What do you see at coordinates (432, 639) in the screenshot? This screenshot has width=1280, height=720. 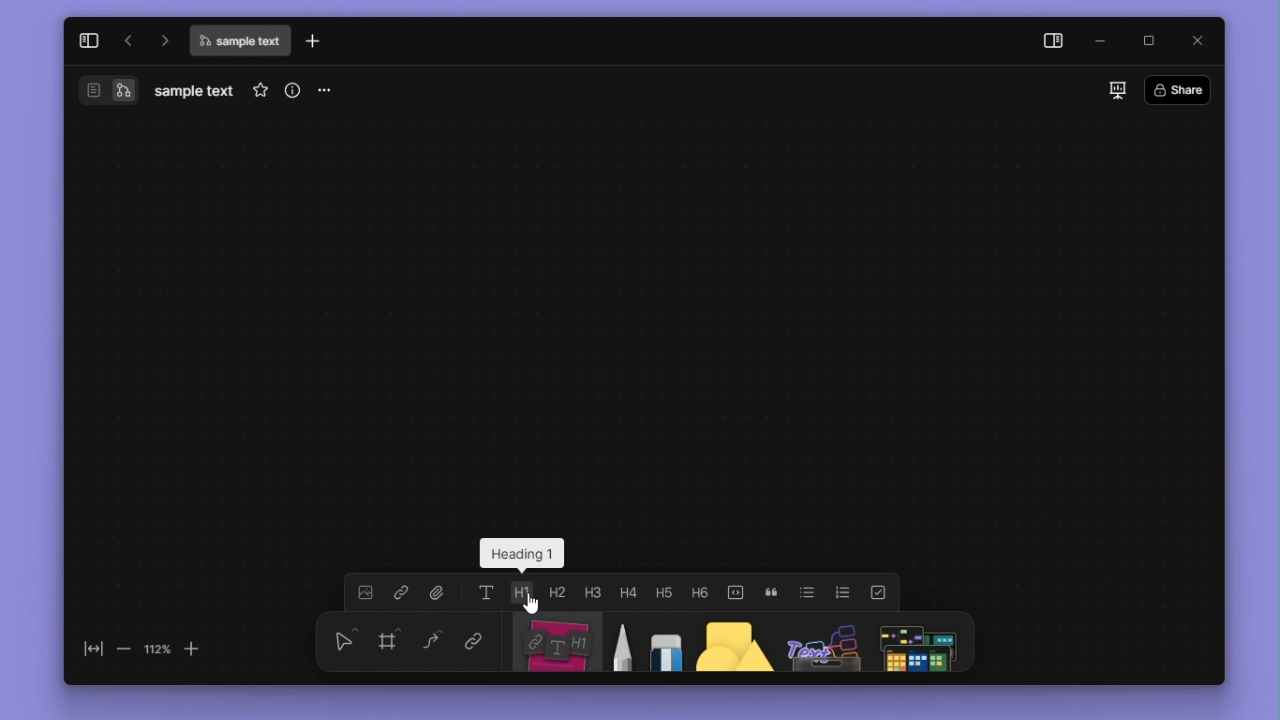 I see `curve` at bounding box center [432, 639].